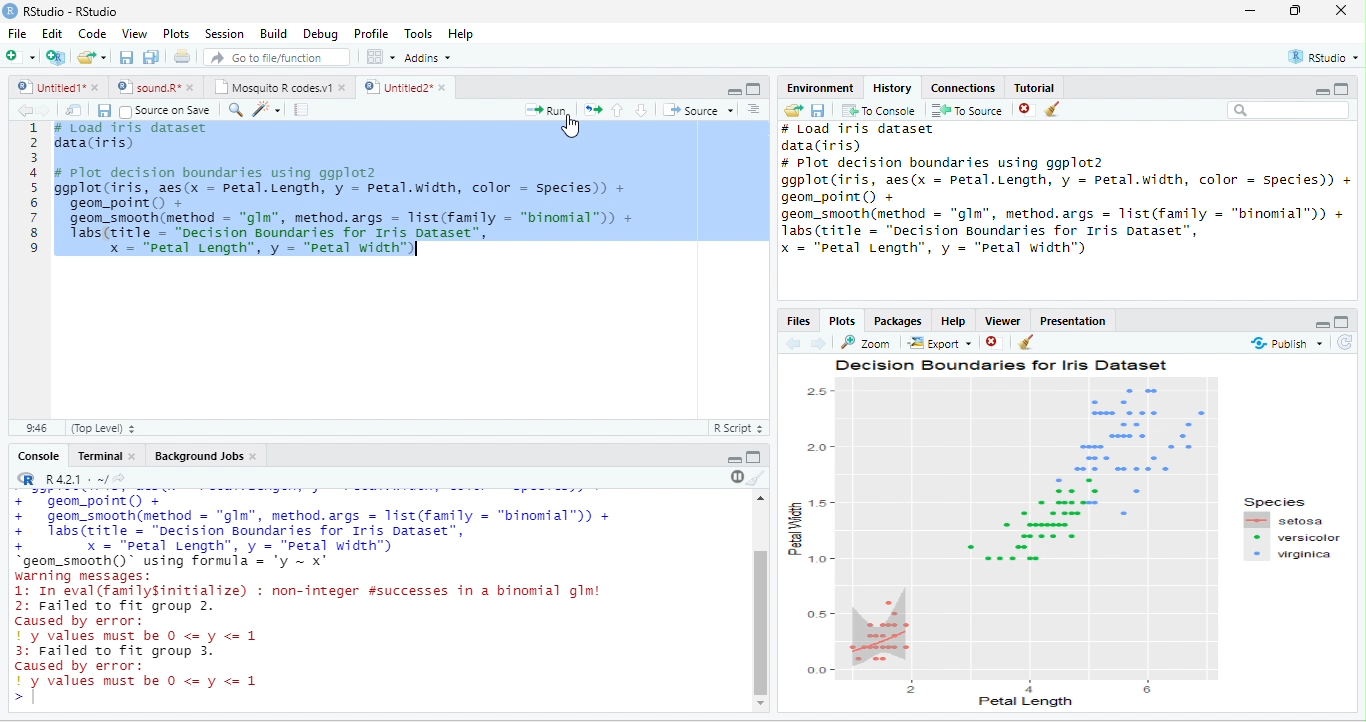 The width and height of the screenshot is (1366, 722). Describe the element at coordinates (271, 87) in the screenshot. I see `Mosquito R codes.v1` at that location.